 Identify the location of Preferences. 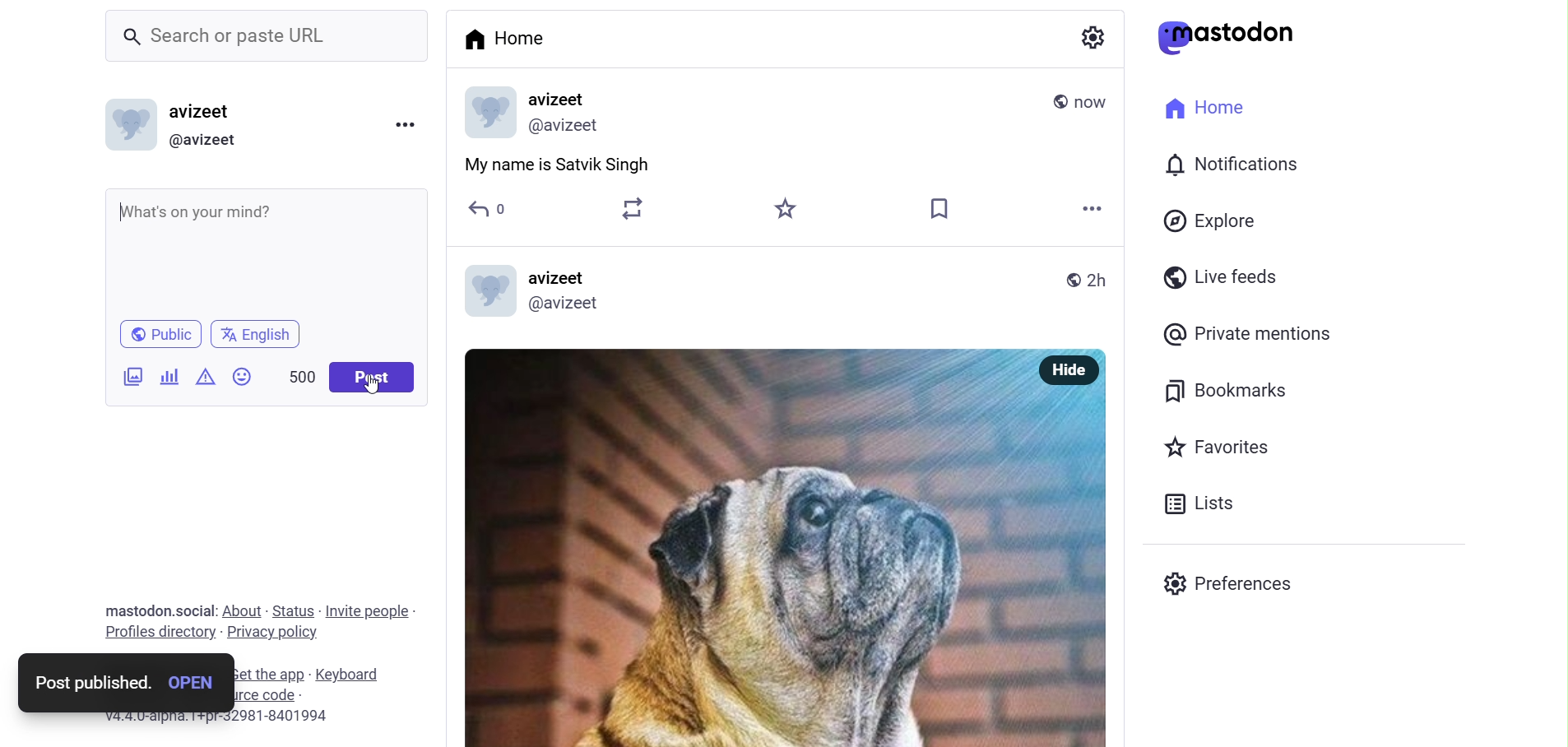
(1237, 583).